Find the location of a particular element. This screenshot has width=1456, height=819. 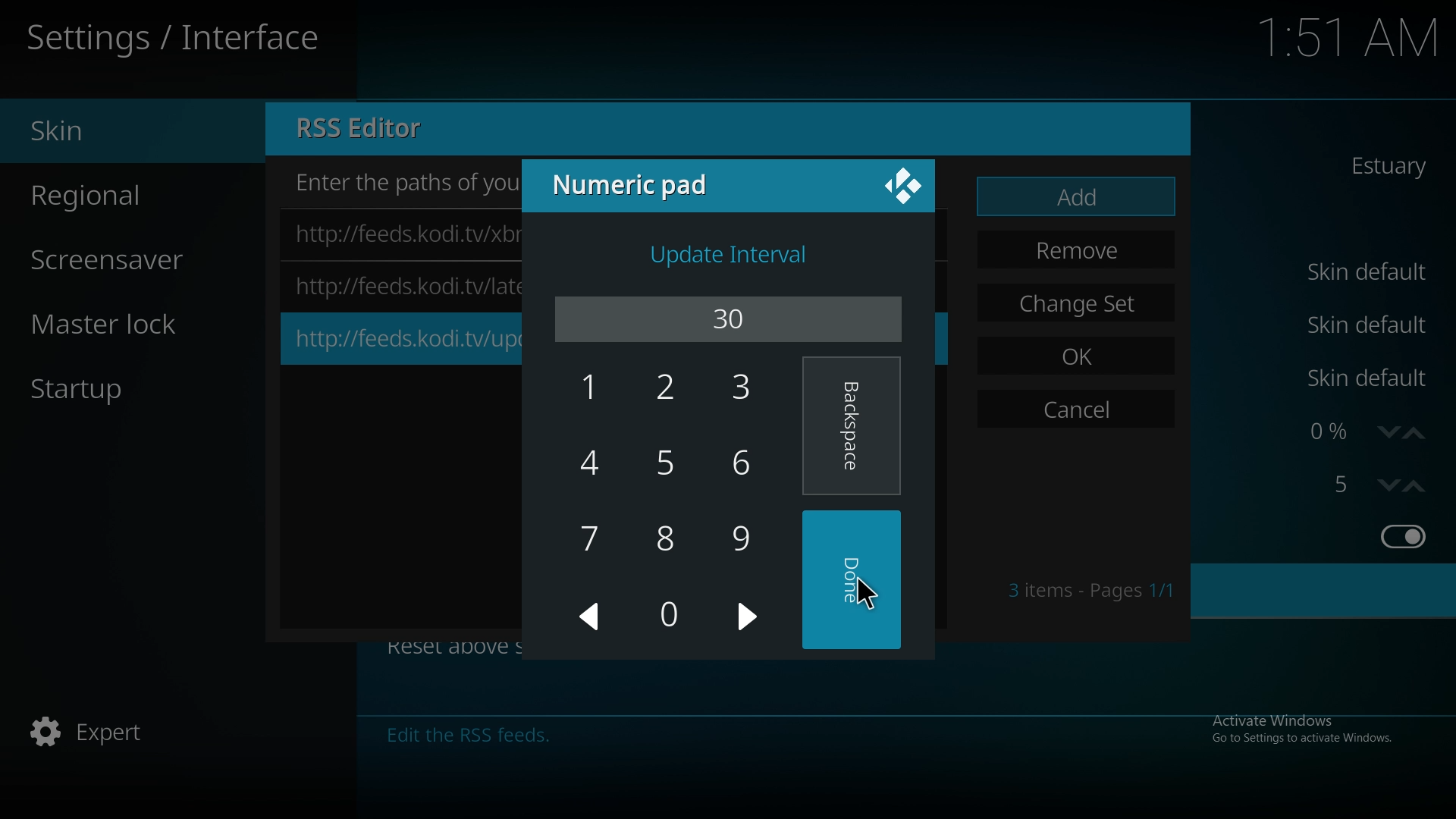

done is located at coordinates (852, 580).